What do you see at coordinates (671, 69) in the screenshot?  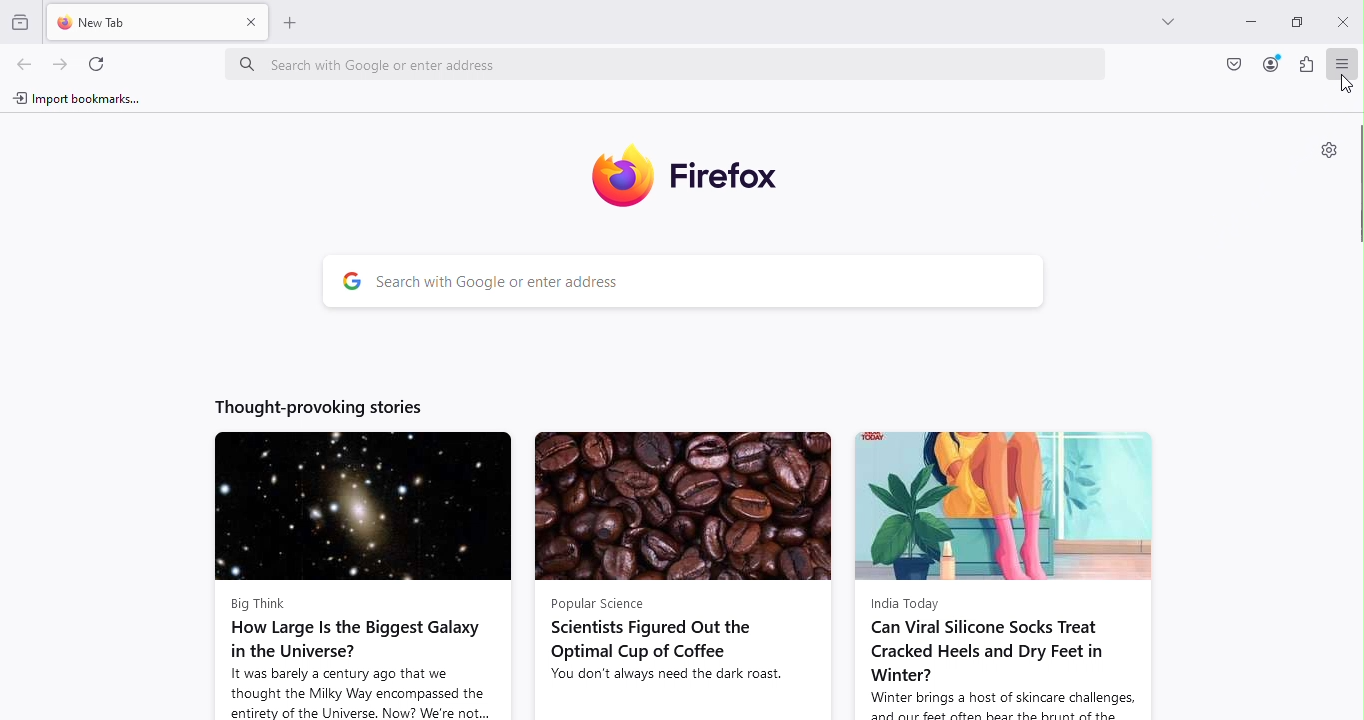 I see `Address bar` at bounding box center [671, 69].